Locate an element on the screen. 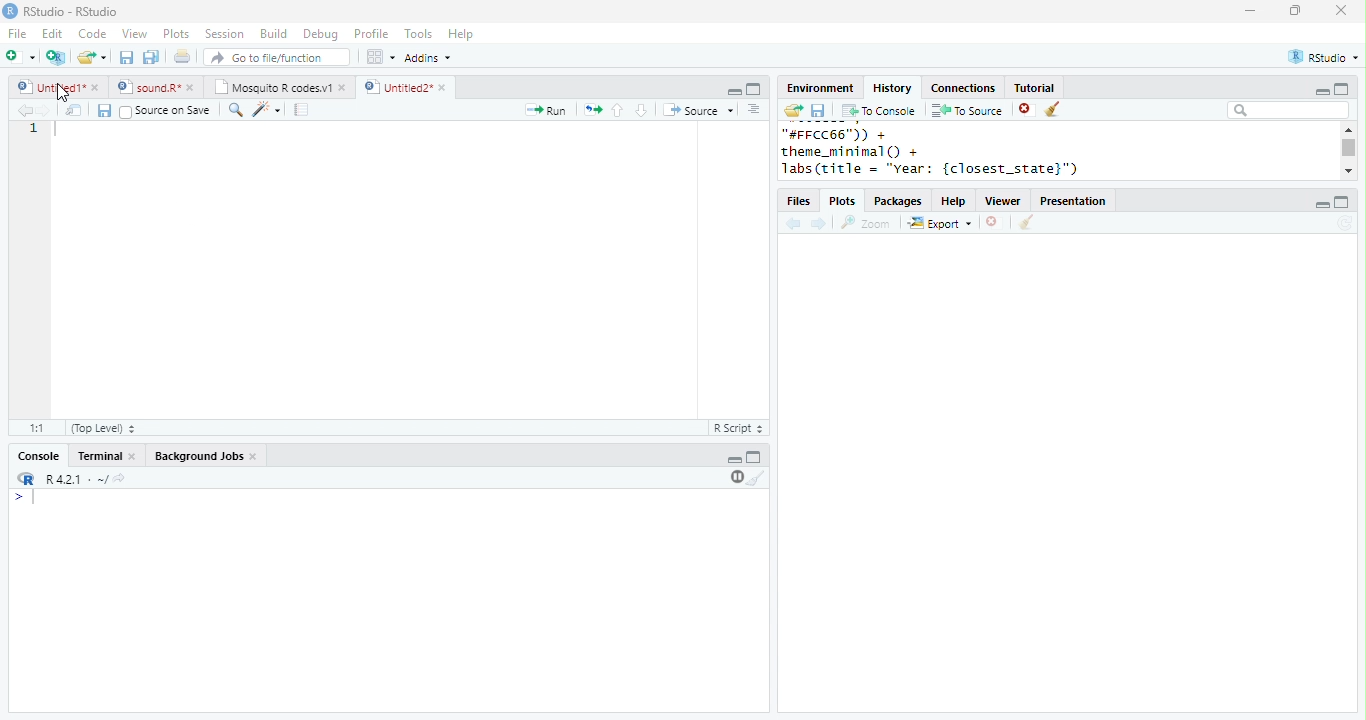 The image size is (1366, 720). scroll bar is located at coordinates (1349, 147).